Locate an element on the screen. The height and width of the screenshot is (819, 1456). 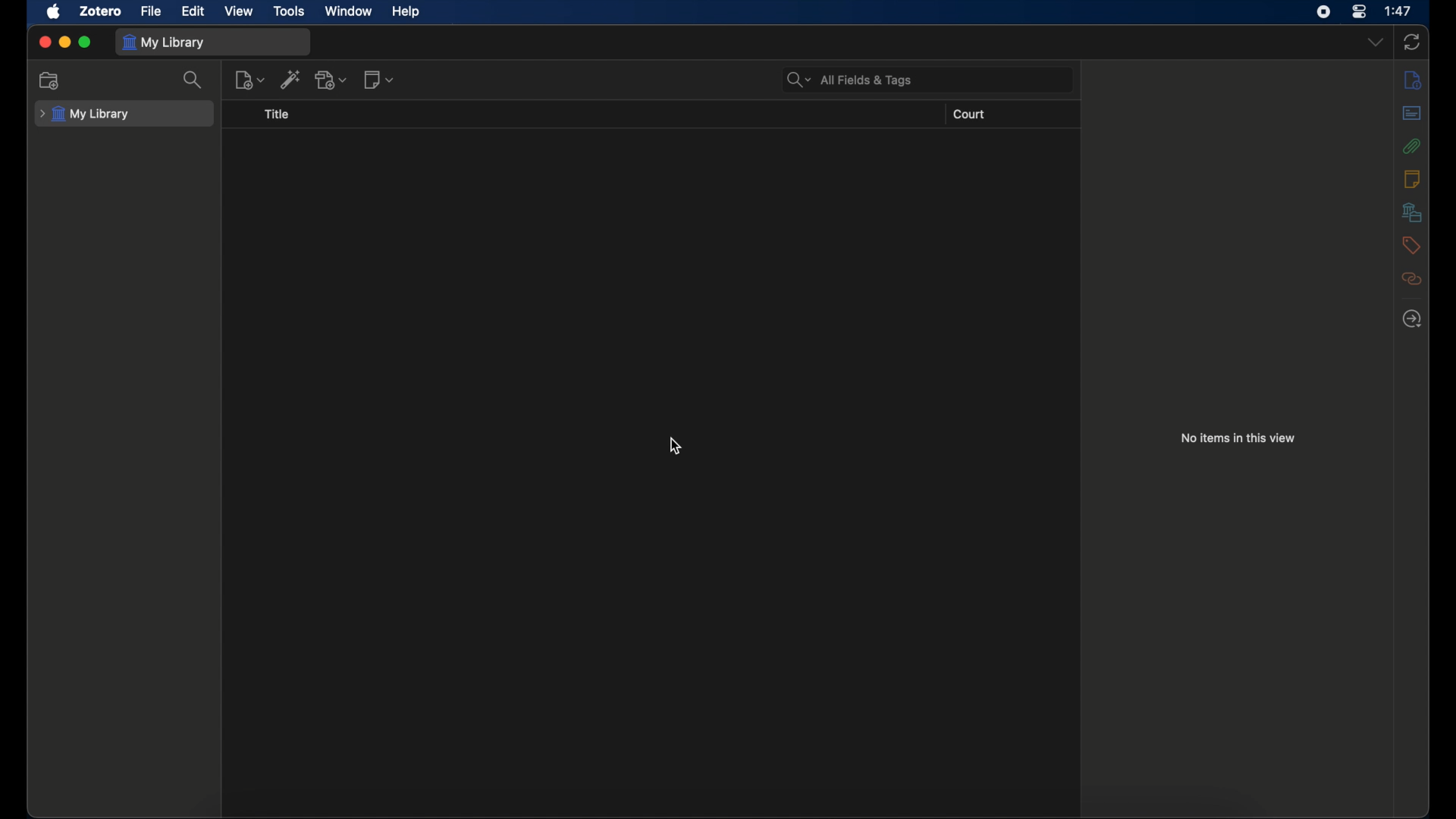
related is located at coordinates (1411, 278).